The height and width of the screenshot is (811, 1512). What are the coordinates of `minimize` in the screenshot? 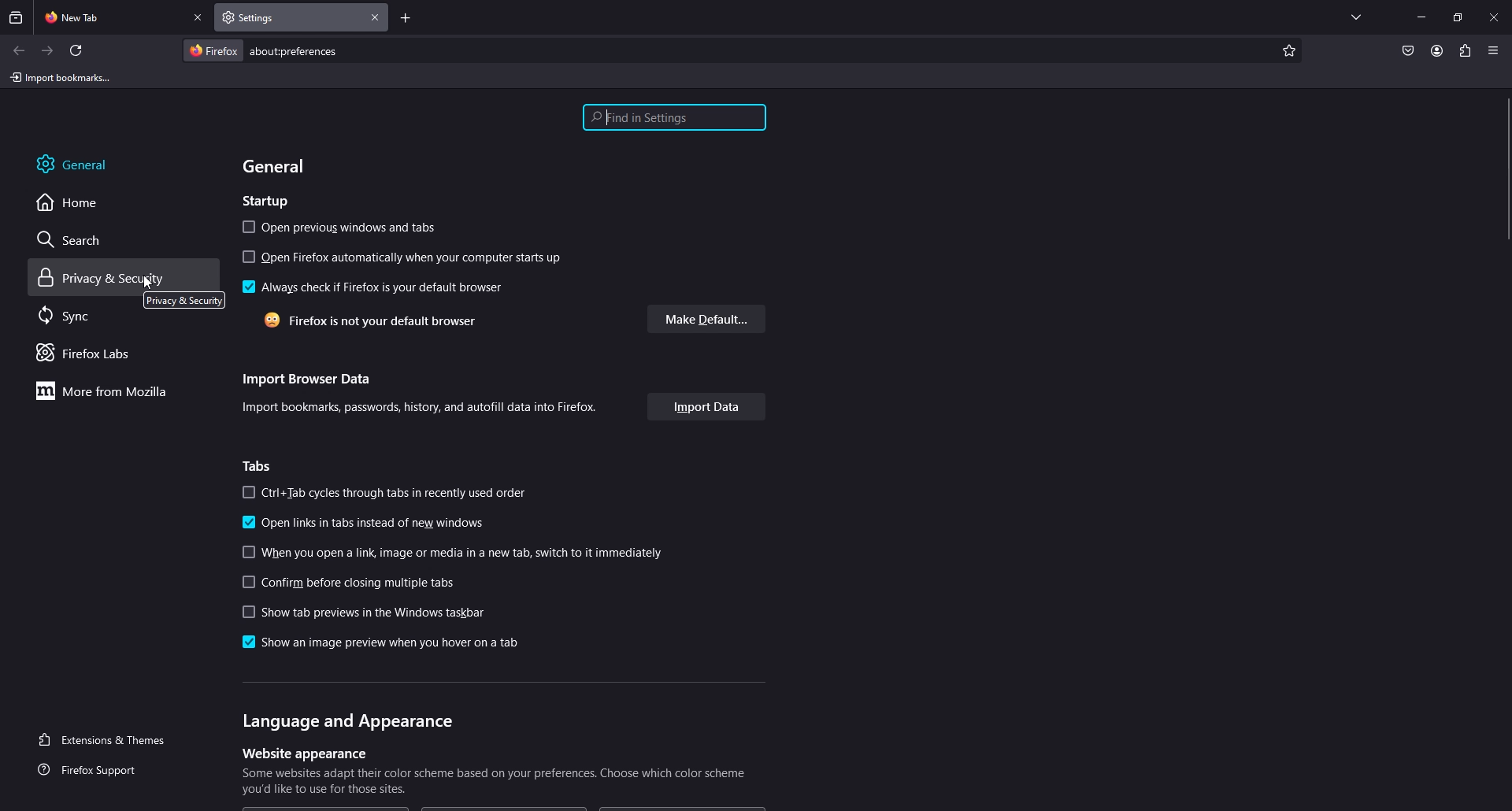 It's located at (1421, 16).